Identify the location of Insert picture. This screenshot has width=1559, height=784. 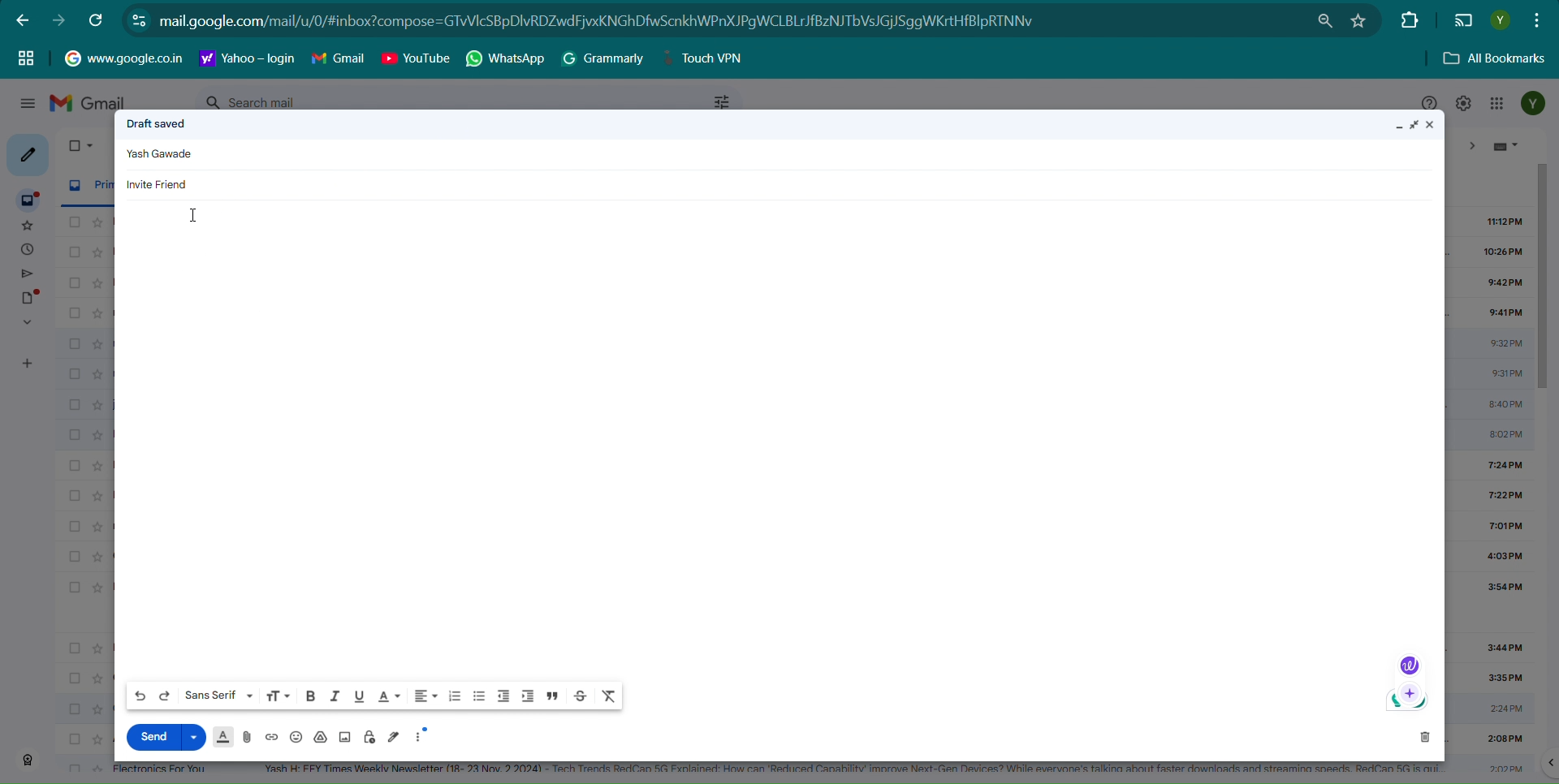
(344, 737).